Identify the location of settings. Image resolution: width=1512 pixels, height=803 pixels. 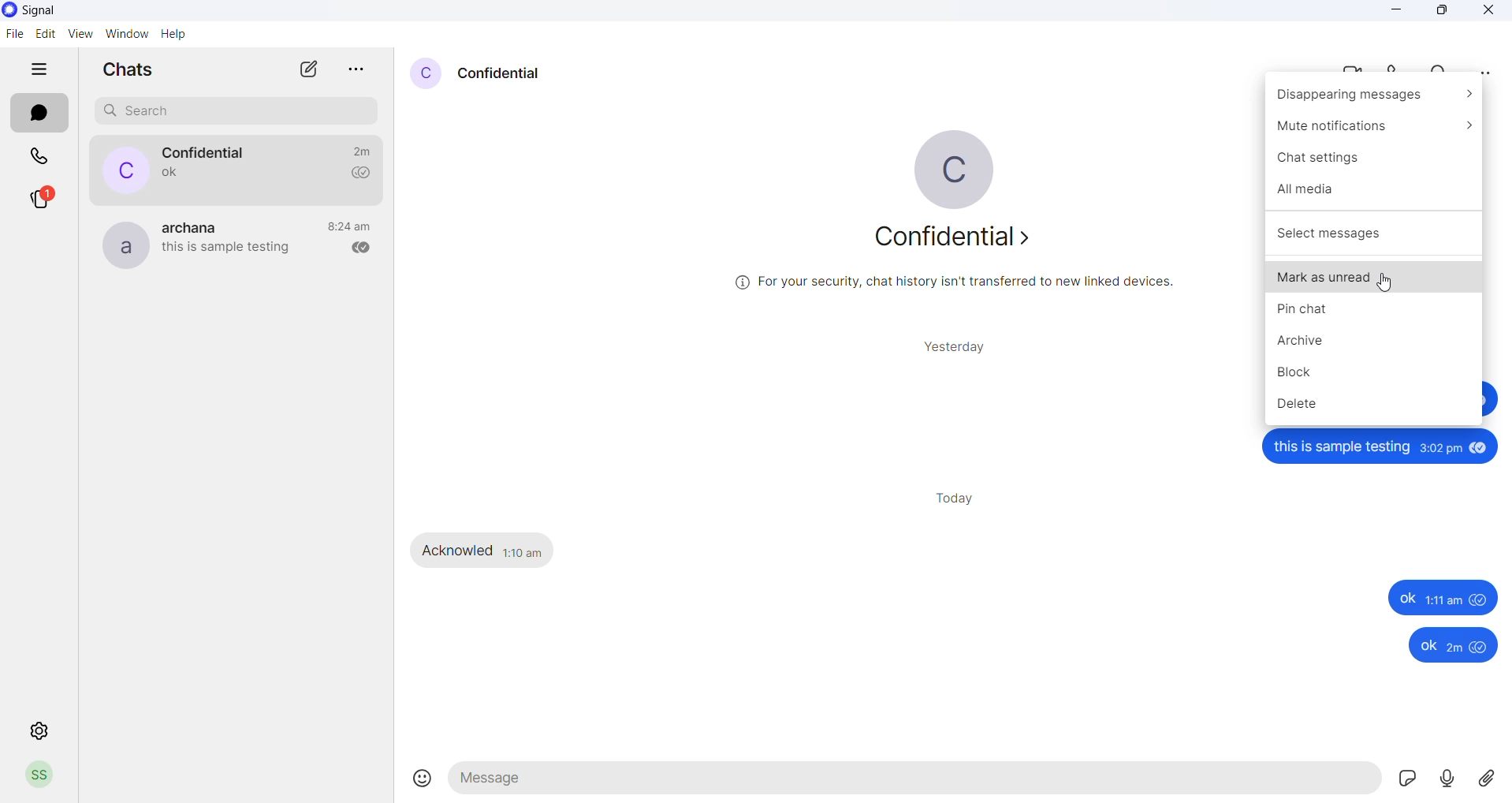
(39, 732).